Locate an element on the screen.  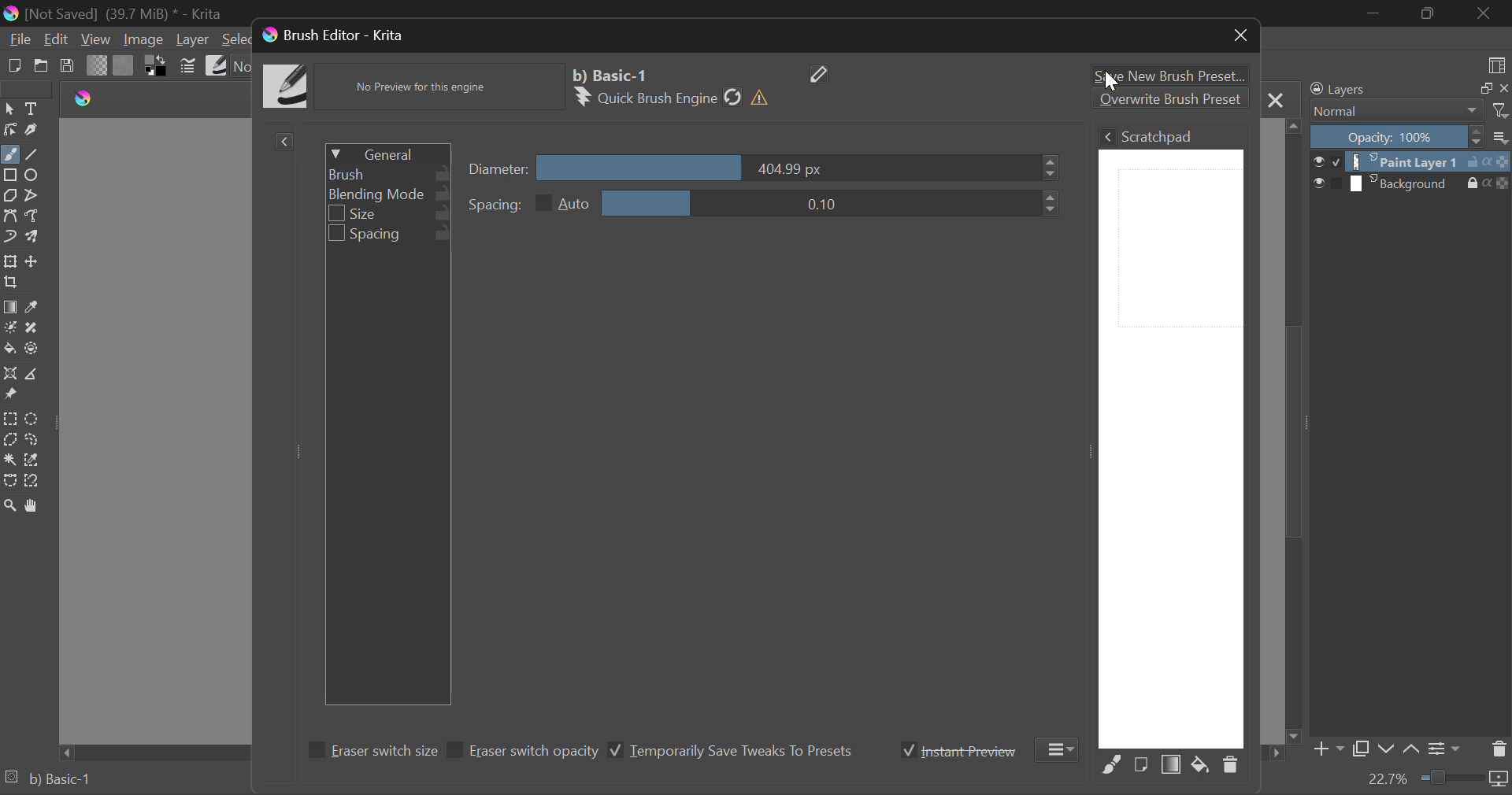
Enclose & Fill is located at coordinates (32, 348).